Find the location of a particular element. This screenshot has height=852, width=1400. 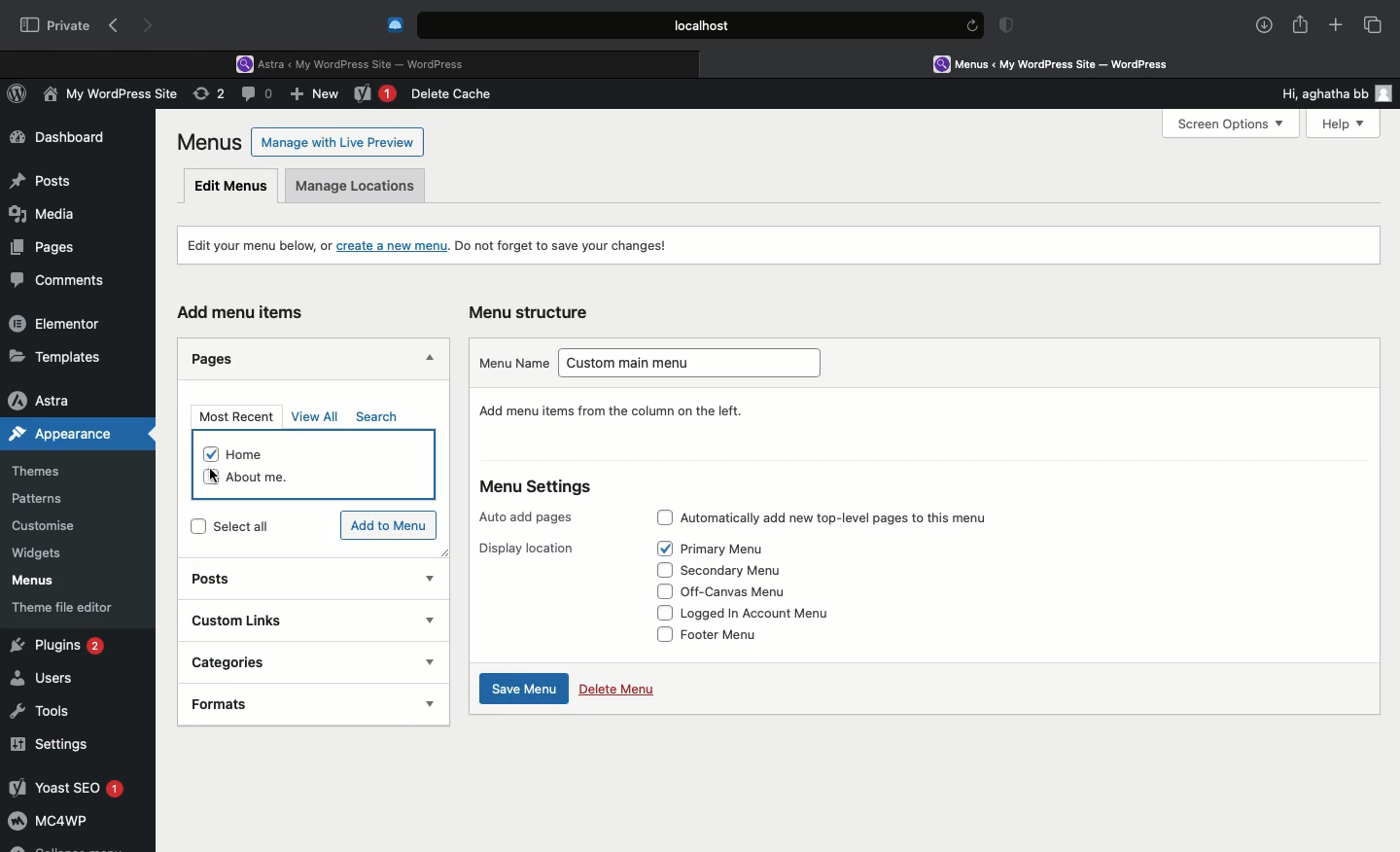

Astra is located at coordinates (57, 400).